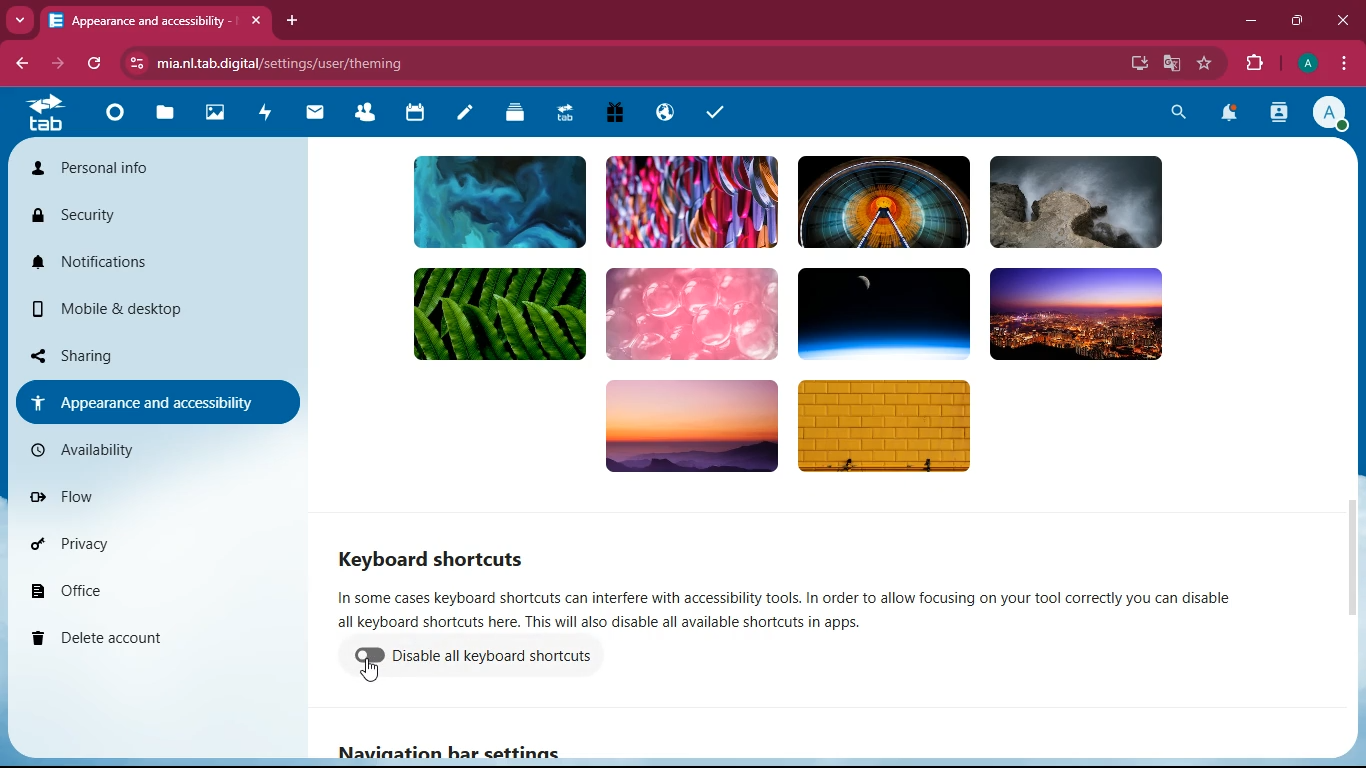  What do you see at coordinates (370, 675) in the screenshot?
I see `cursor` at bounding box center [370, 675].